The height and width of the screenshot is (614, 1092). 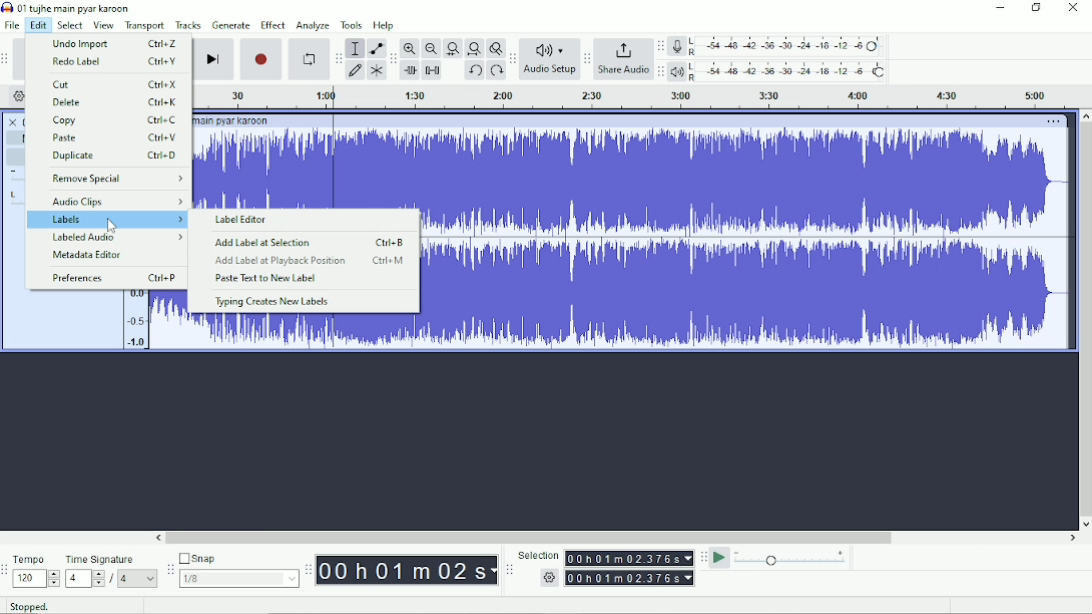 What do you see at coordinates (474, 70) in the screenshot?
I see `Undo` at bounding box center [474, 70].